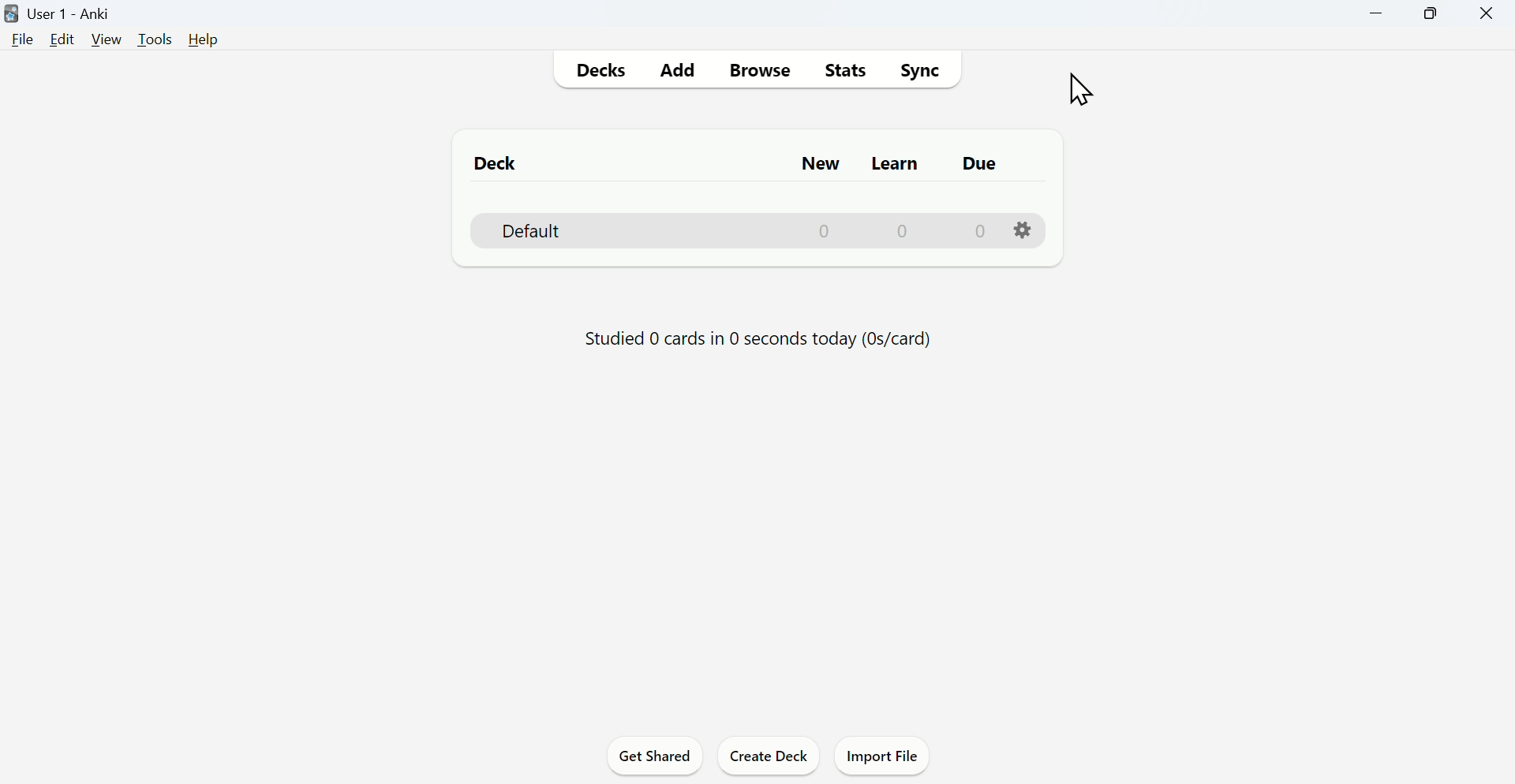 The width and height of the screenshot is (1515, 784). I want to click on User 1 - Anki, so click(61, 14).